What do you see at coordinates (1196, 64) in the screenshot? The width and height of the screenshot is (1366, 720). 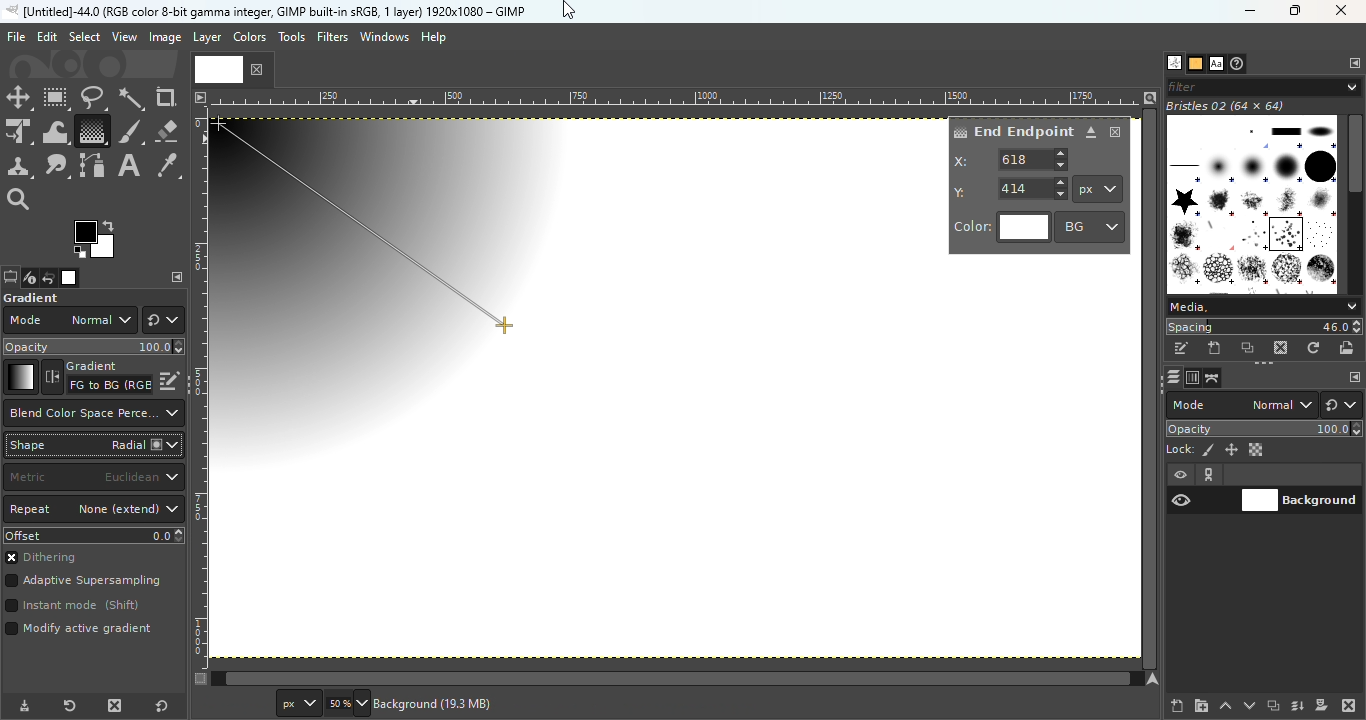 I see `Open the patterns dialog` at bounding box center [1196, 64].